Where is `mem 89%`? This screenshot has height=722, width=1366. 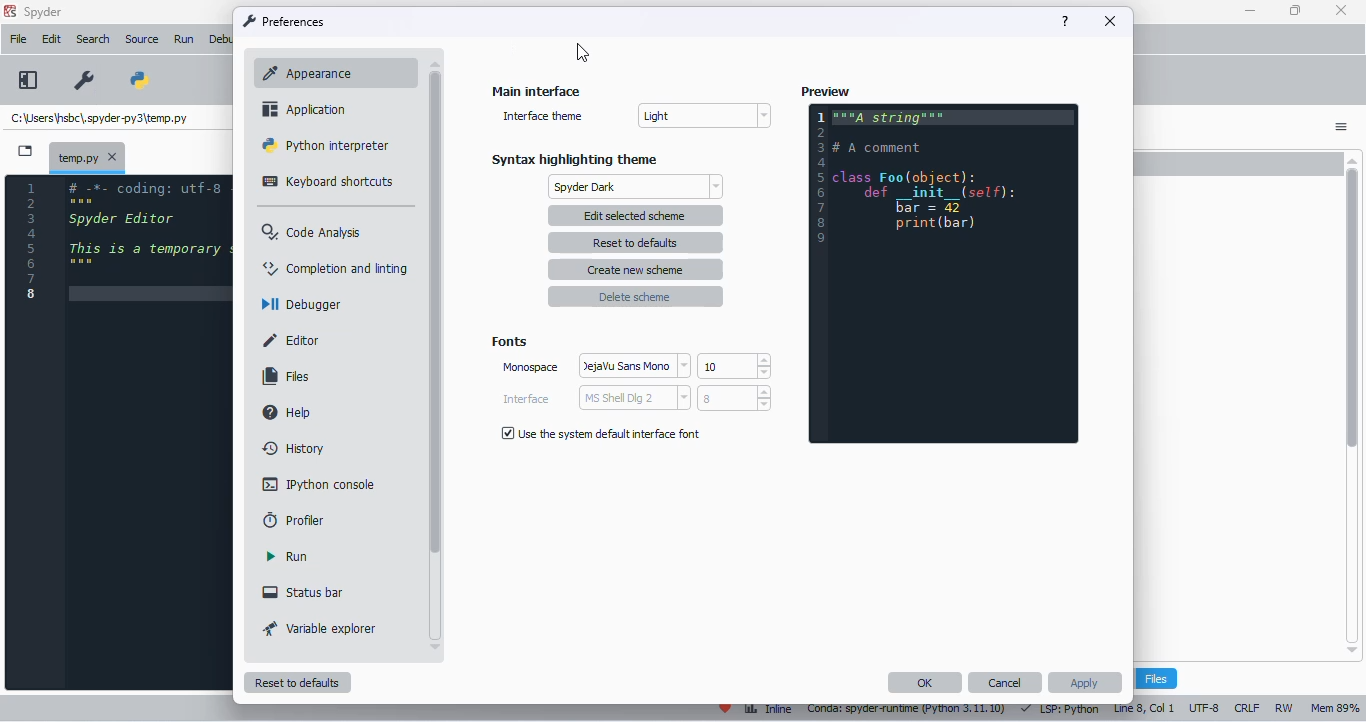 mem 89% is located at coordinates (1335, 709).